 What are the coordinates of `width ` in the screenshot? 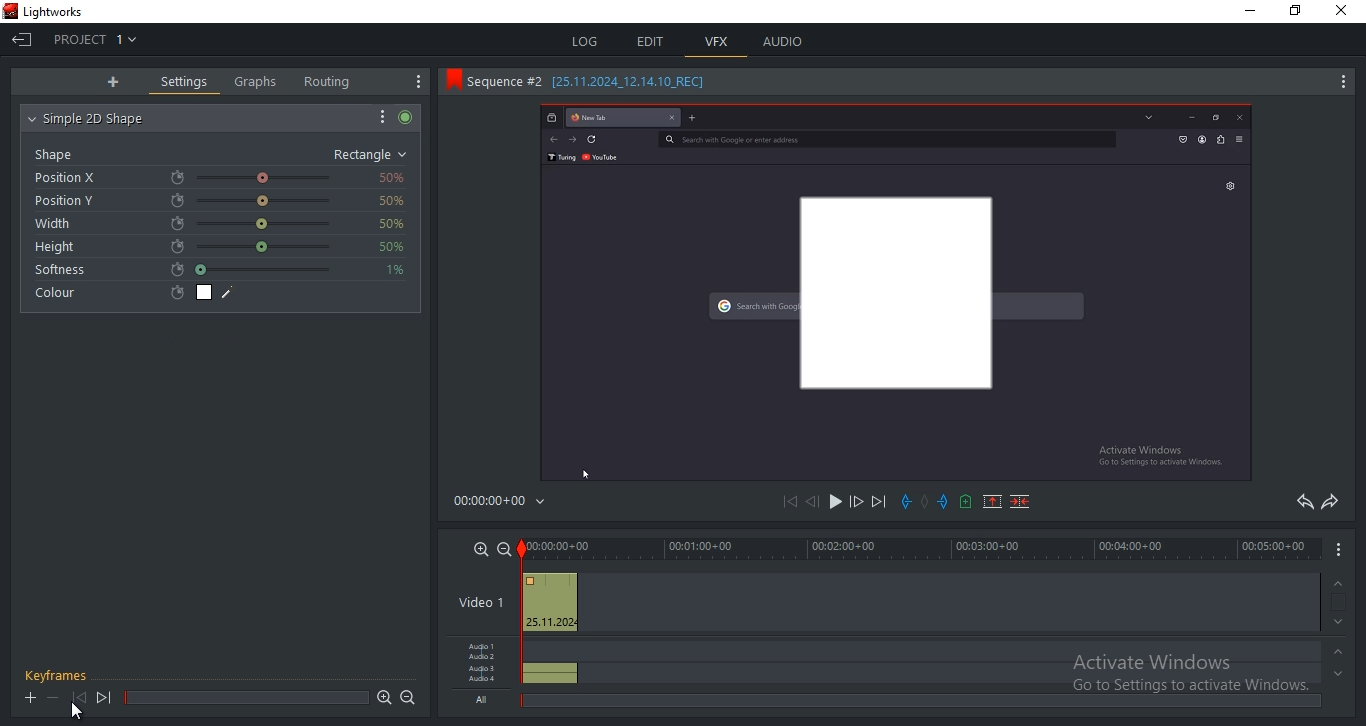 It's located at (219, 225).